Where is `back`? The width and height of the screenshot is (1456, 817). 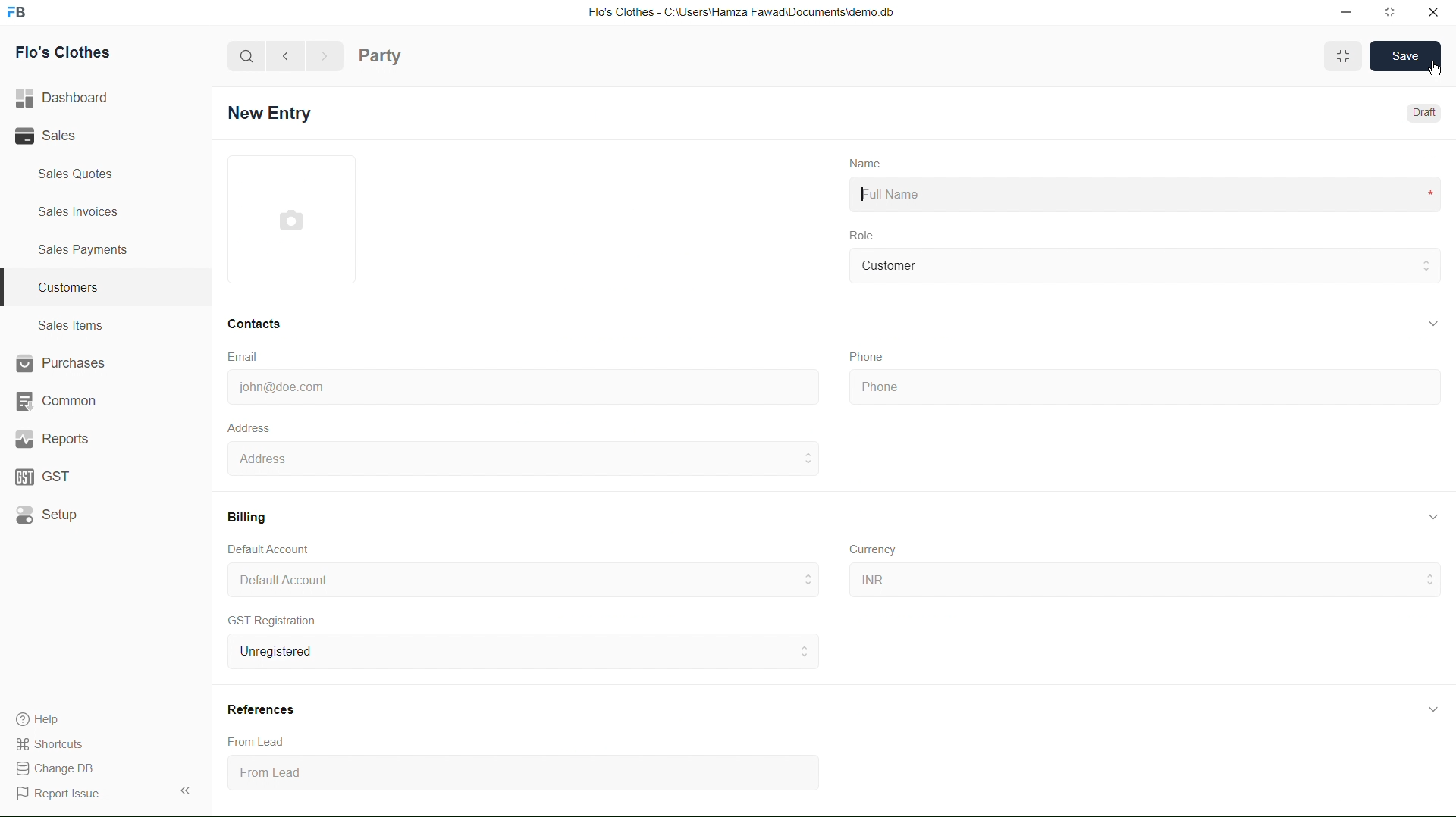
back is located at coordinates (290, 56).